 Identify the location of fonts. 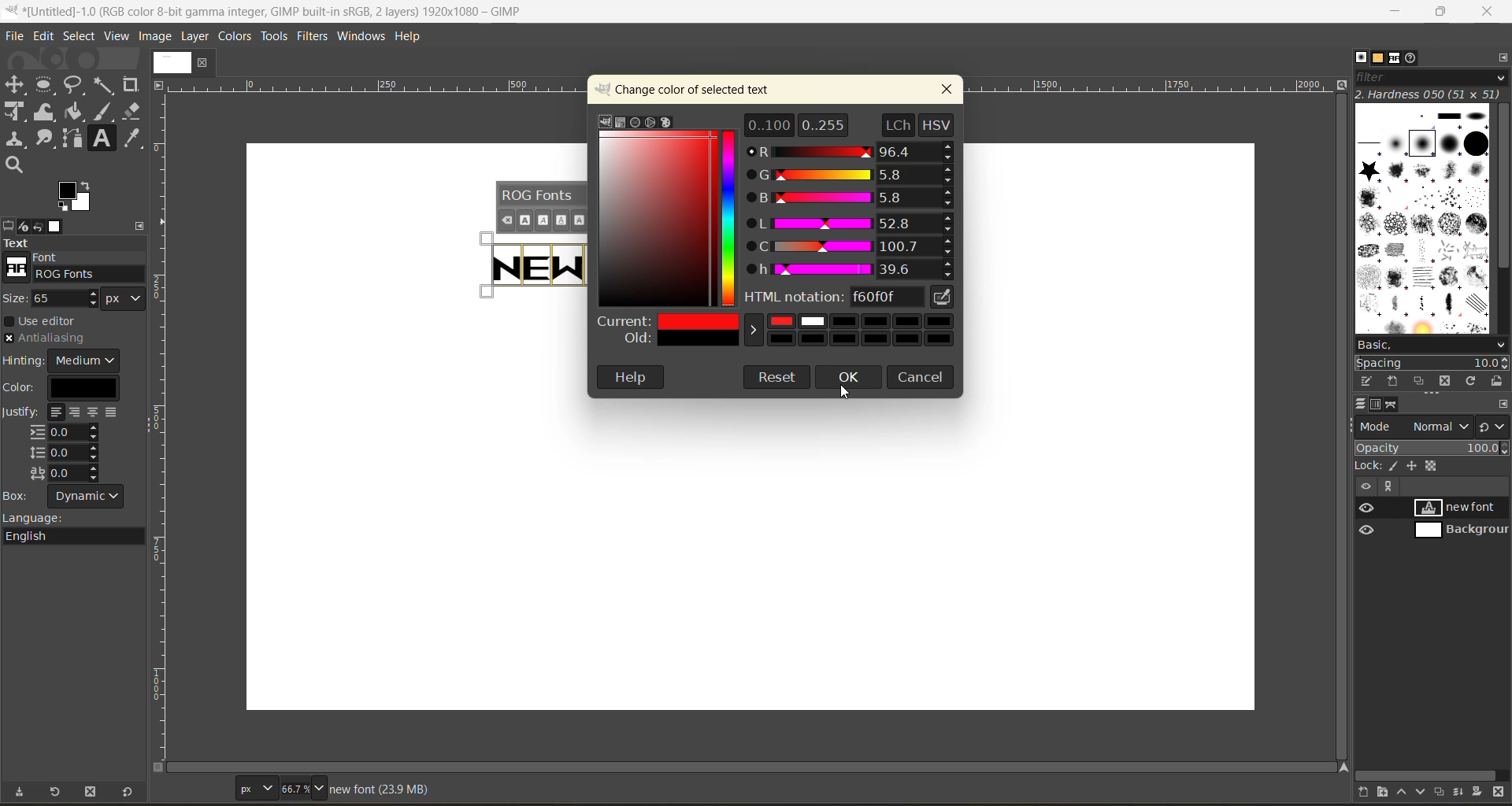
(1398, 59).